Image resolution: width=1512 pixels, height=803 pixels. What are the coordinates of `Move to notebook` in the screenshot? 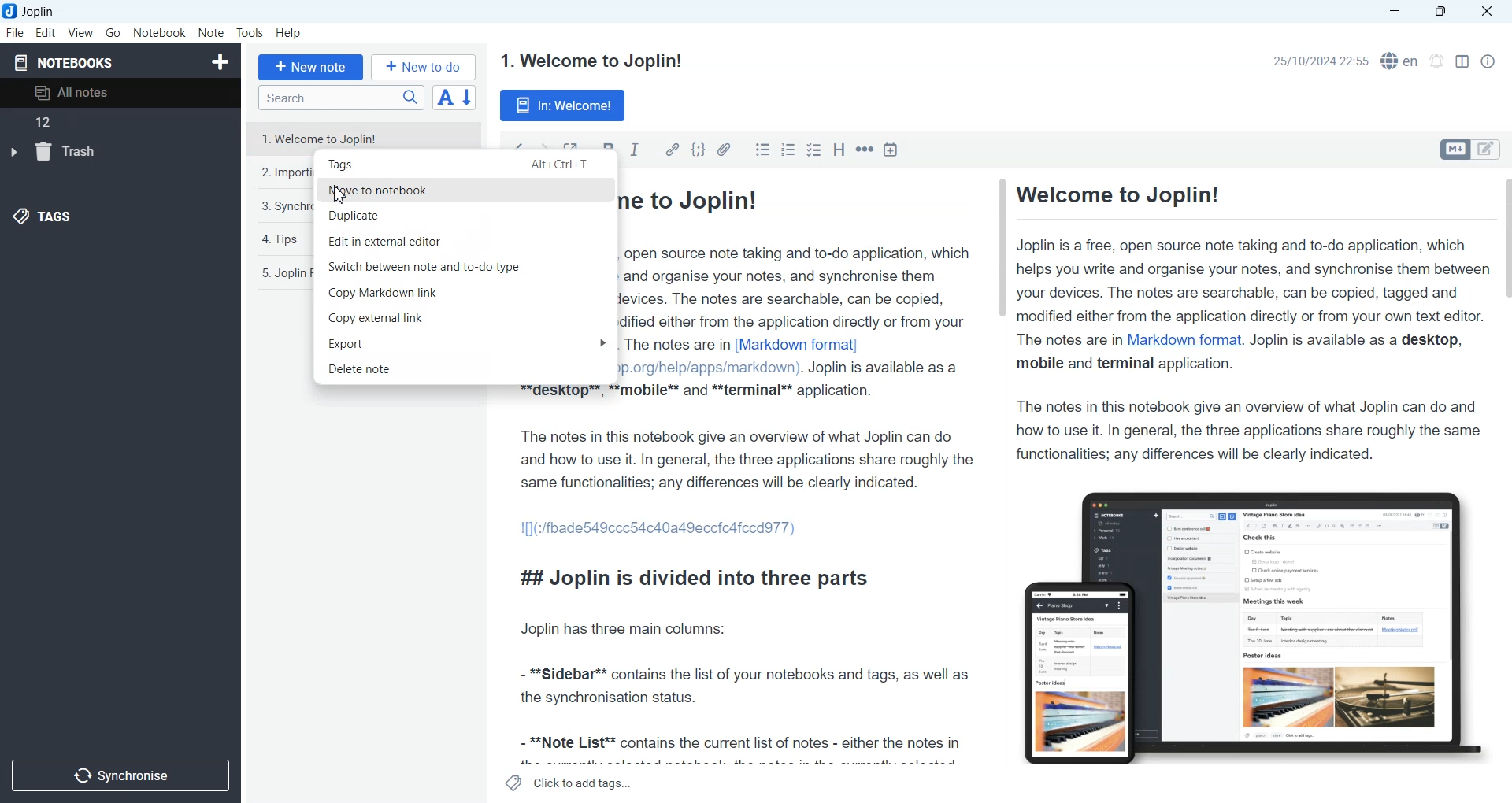 It's located at (465, 190).